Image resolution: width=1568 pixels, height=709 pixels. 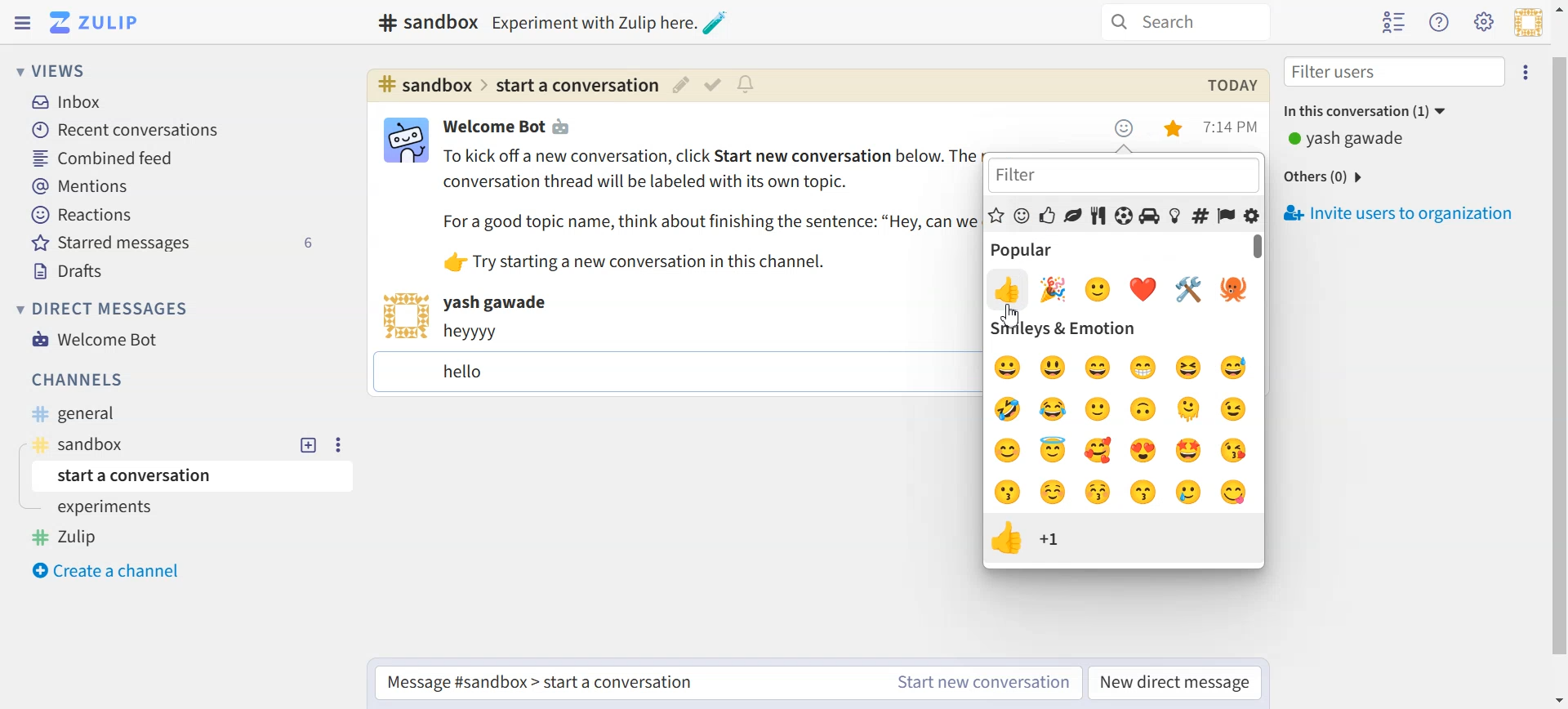 I want to click on smiling face with hearts, so click(x=1103, y=450).